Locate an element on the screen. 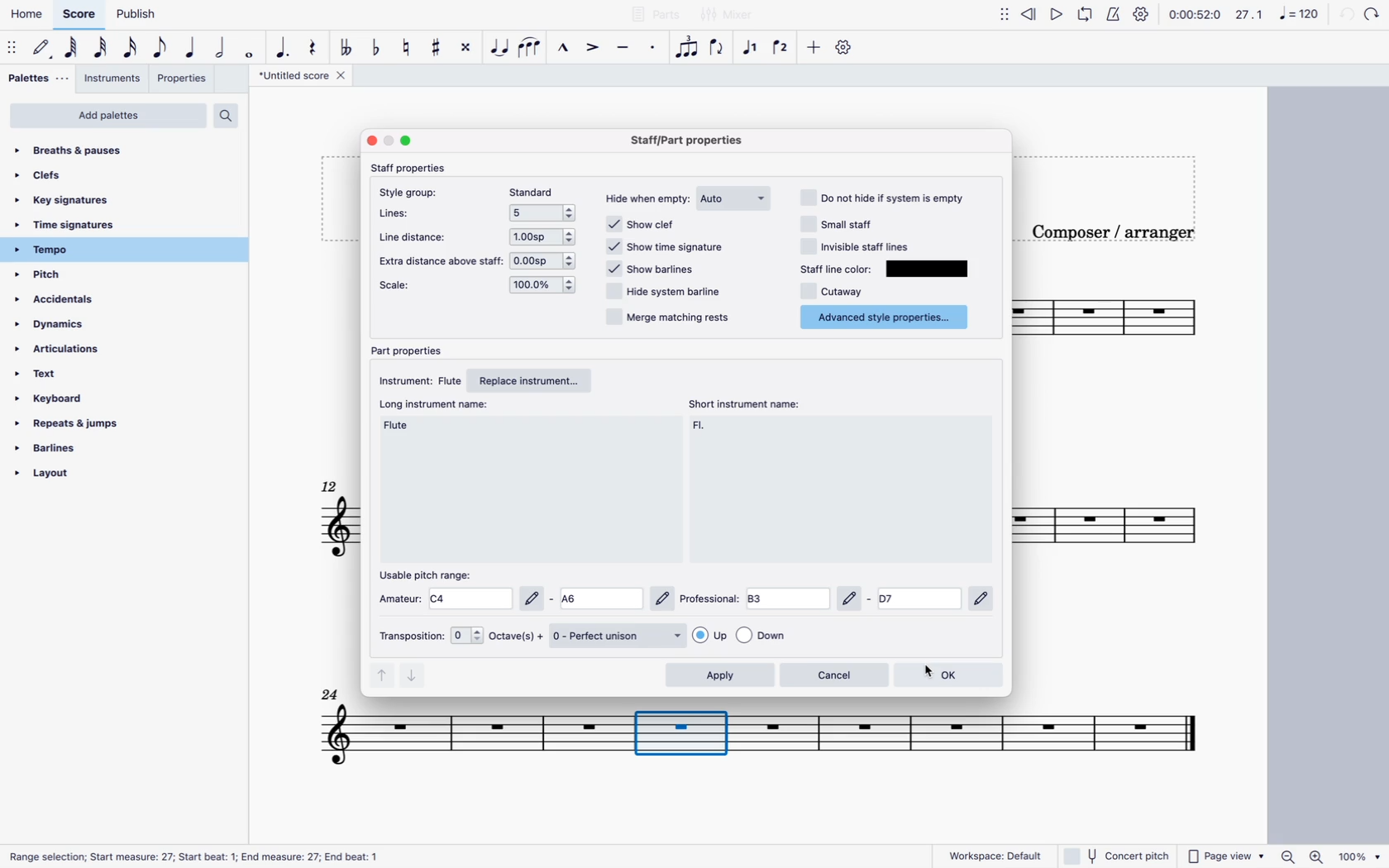 The height and width of the screenshot is (868, 1389). down is located at coordinates (416, 679).